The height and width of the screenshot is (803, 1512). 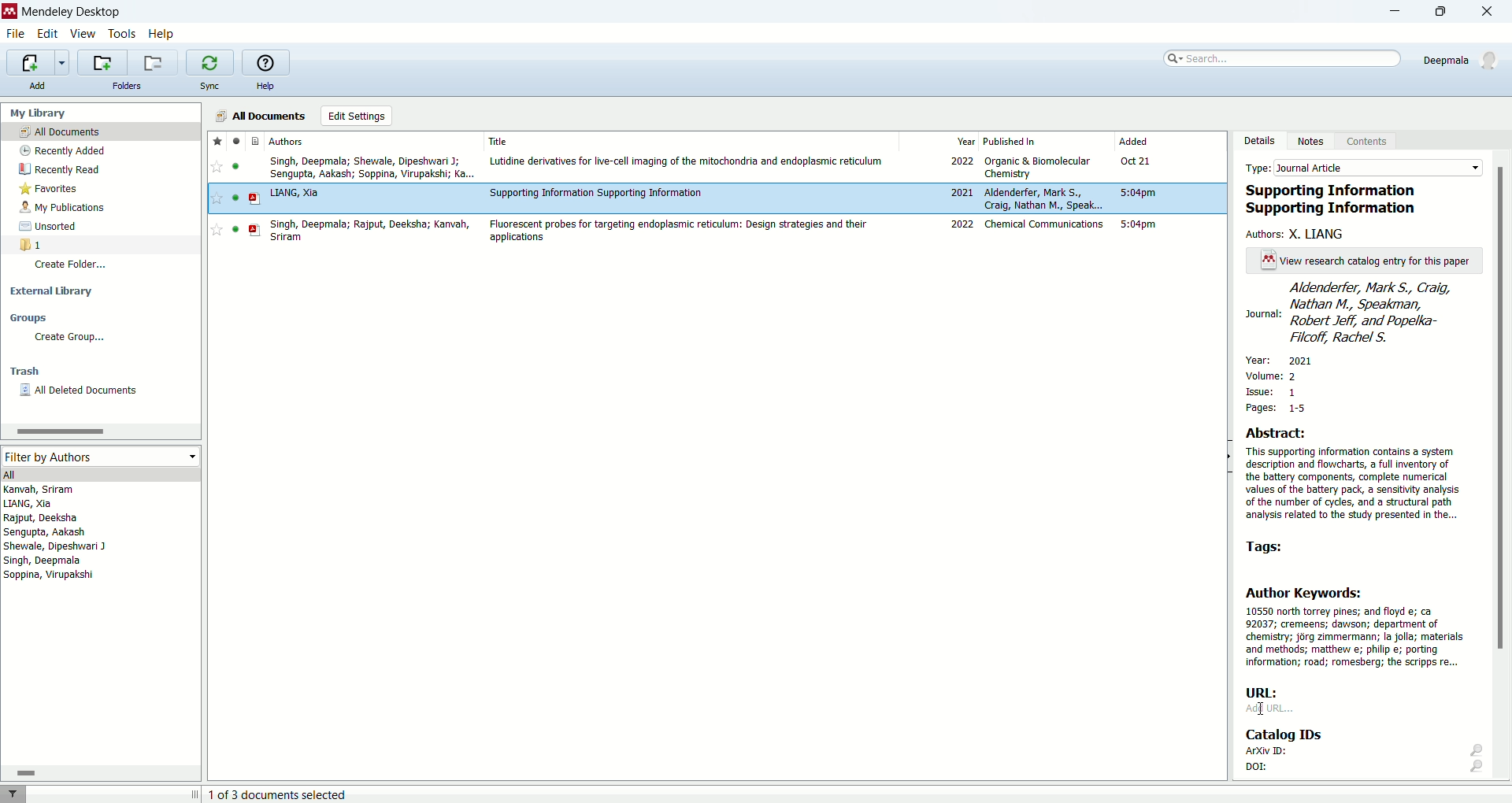 What do you see at coordinates (677, 231) in the screenshot?
I see `Fluorescent probes for targeting endoplasmic reticulum: Design strategies and their applications` at bounding box center [677, 231].